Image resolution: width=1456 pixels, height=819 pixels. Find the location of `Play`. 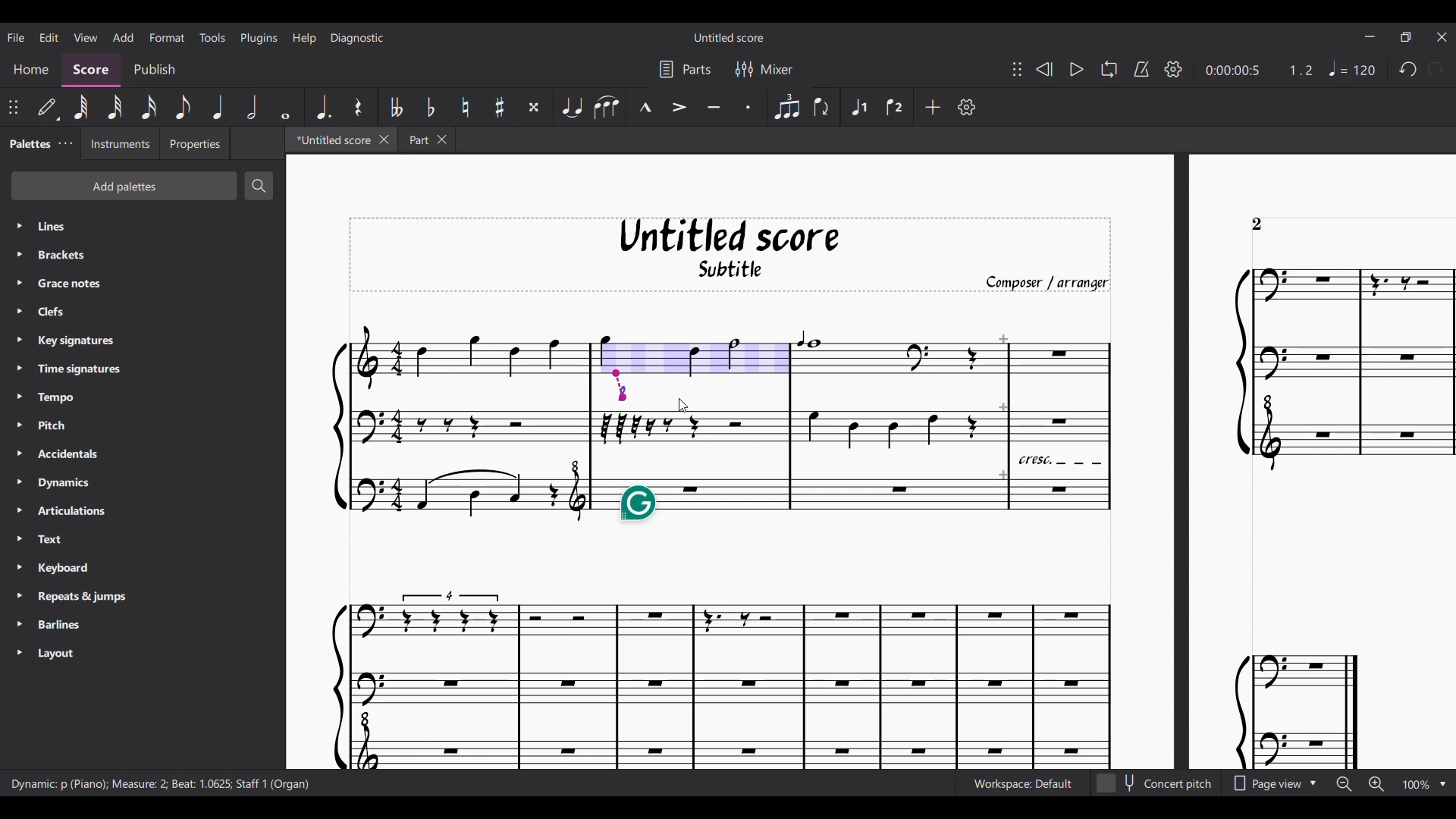

Play is located at coordinates (1077, 69).